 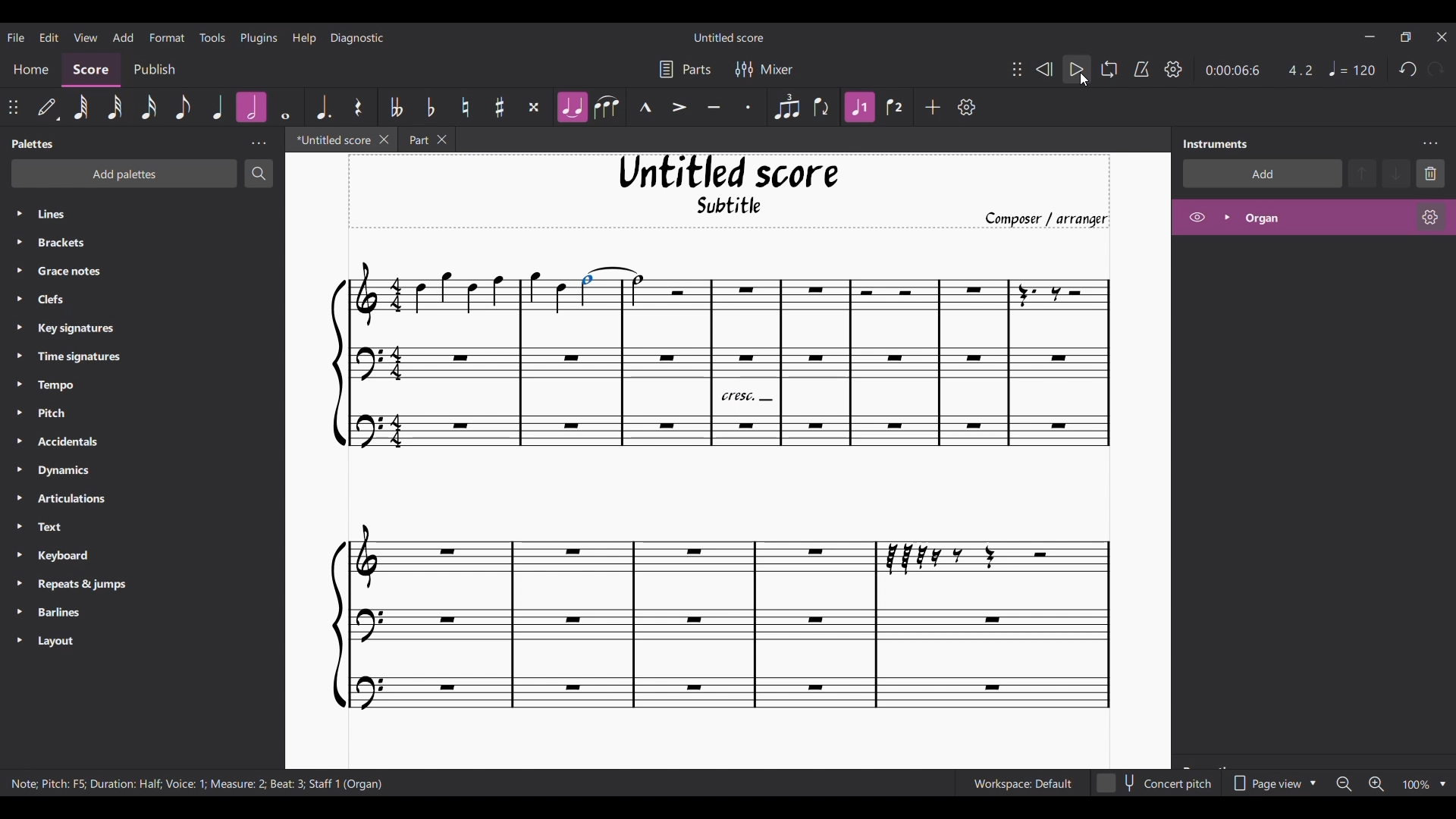 I want to click on Playback settings, so click(x=1173, y=69).